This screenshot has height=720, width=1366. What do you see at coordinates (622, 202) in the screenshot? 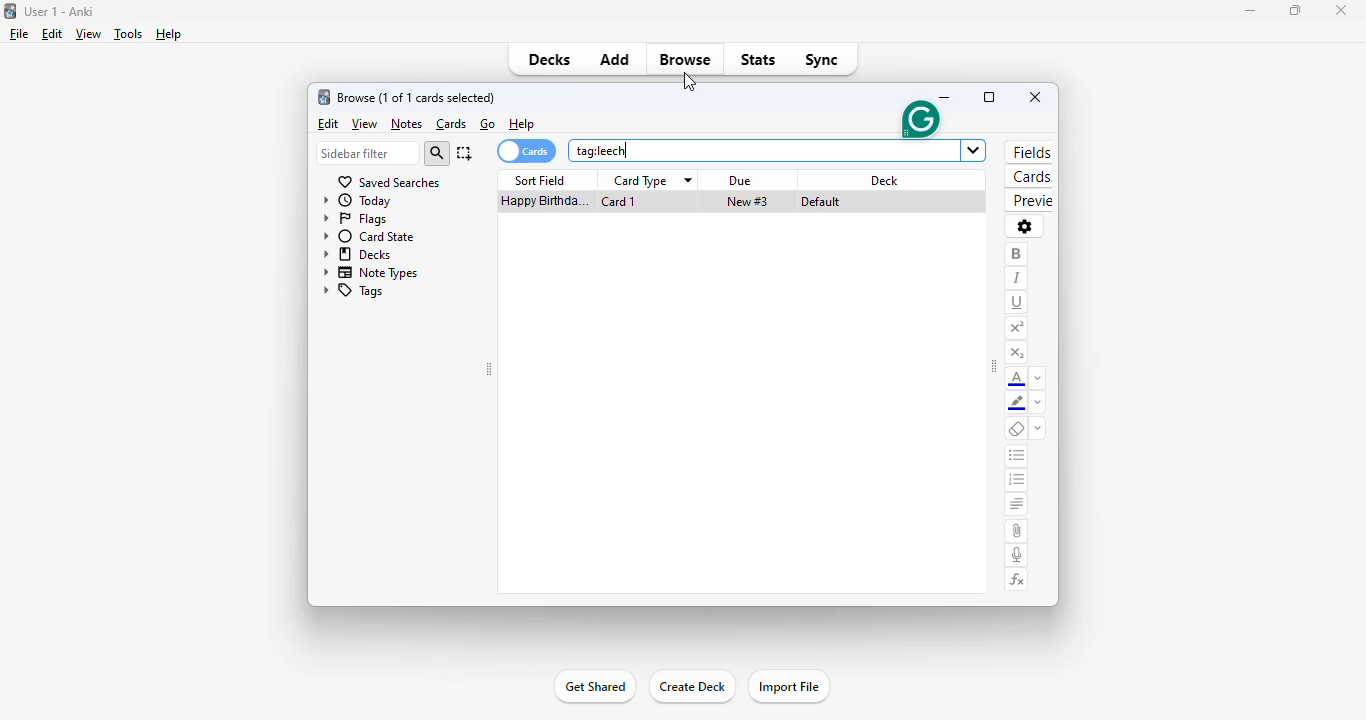
I see `card 1` at bounding box center [622, 202].